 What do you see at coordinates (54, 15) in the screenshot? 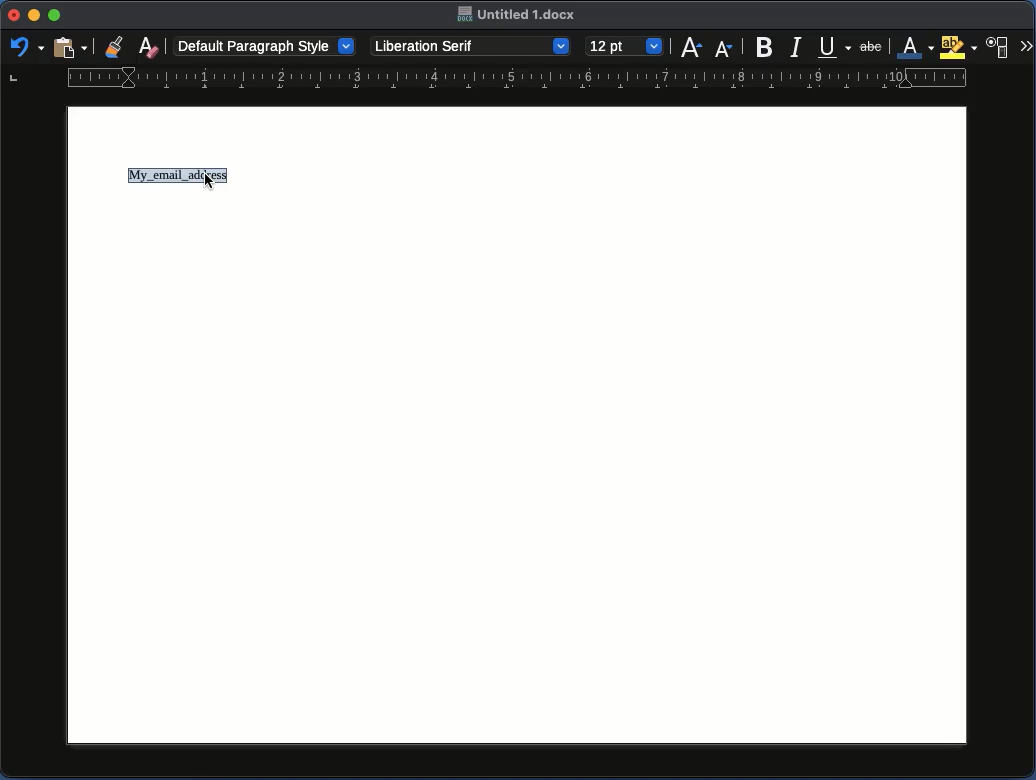
I see `Maximize` at bounding box center [54, 15].